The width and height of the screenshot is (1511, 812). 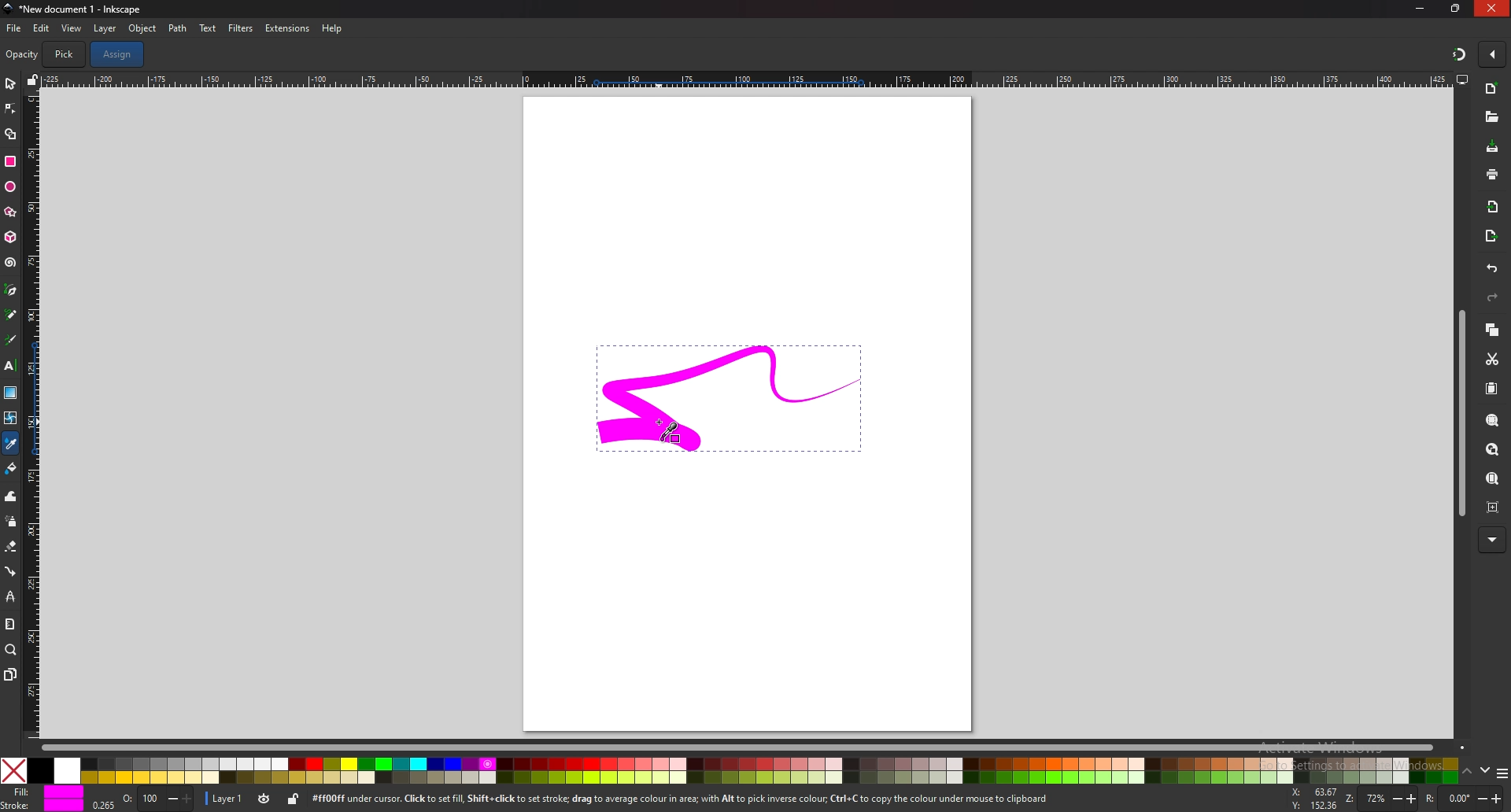 I want to click on enable snapping, so click(x=1493, y=56).